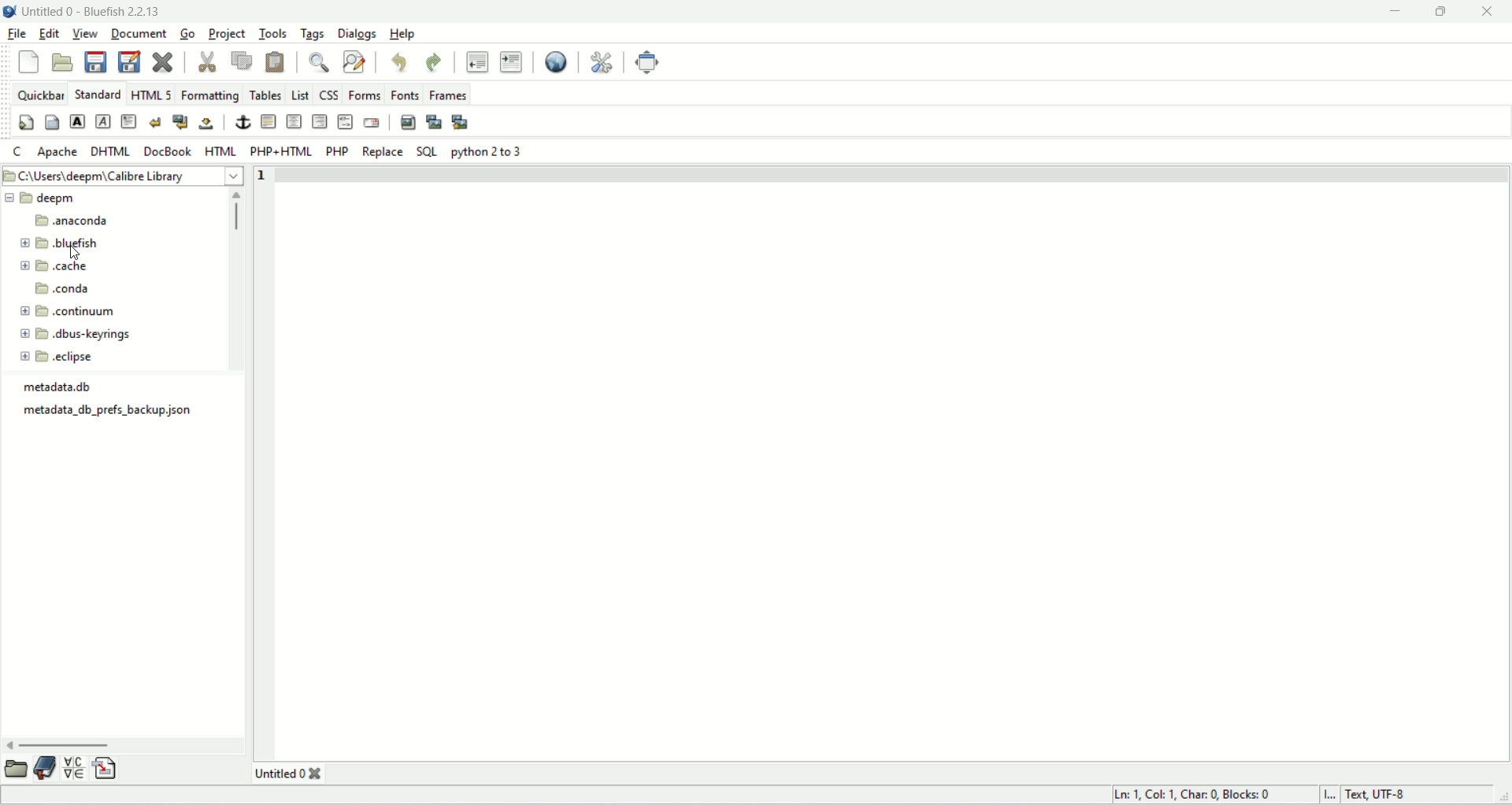 The image size is (1512, 805). Describe the element at coordinates (157, 121) in the screenshot. I see `break` at that location.